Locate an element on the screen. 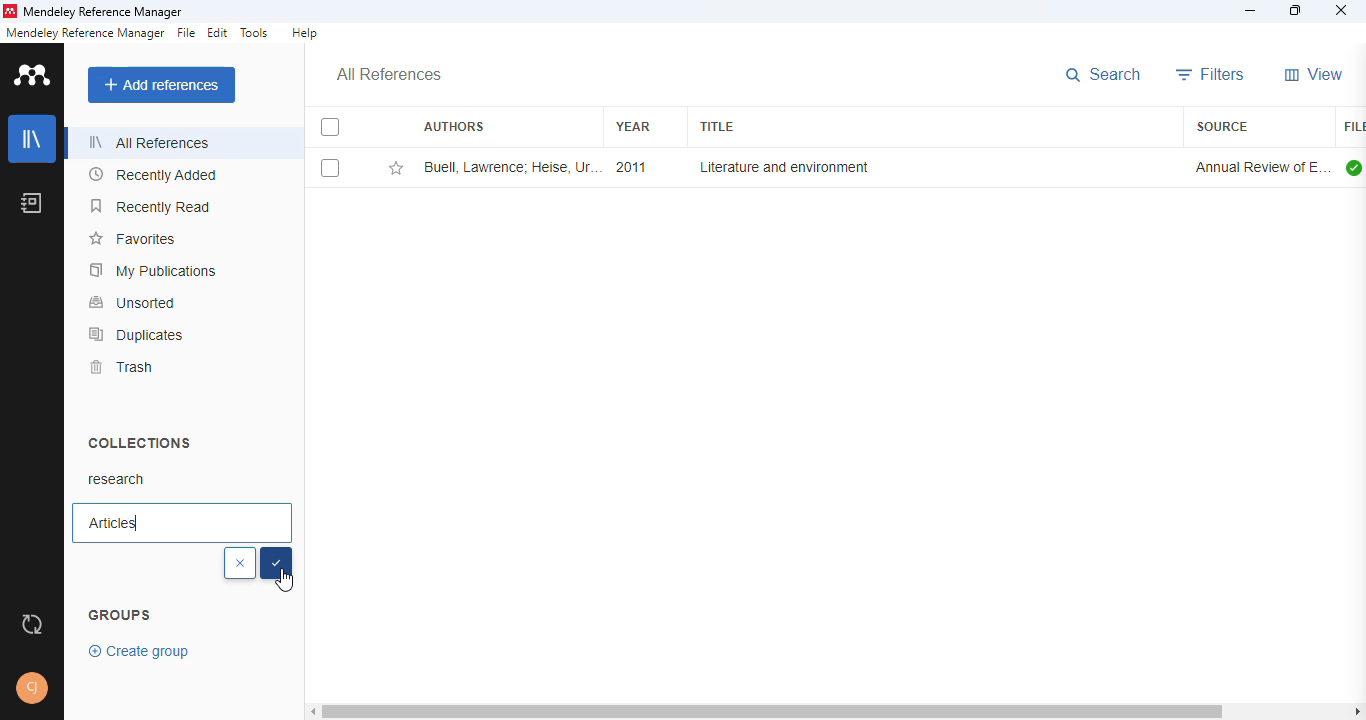 The width and height of the screenshot is (1366, 720). research is located at coordinates (117, 481).